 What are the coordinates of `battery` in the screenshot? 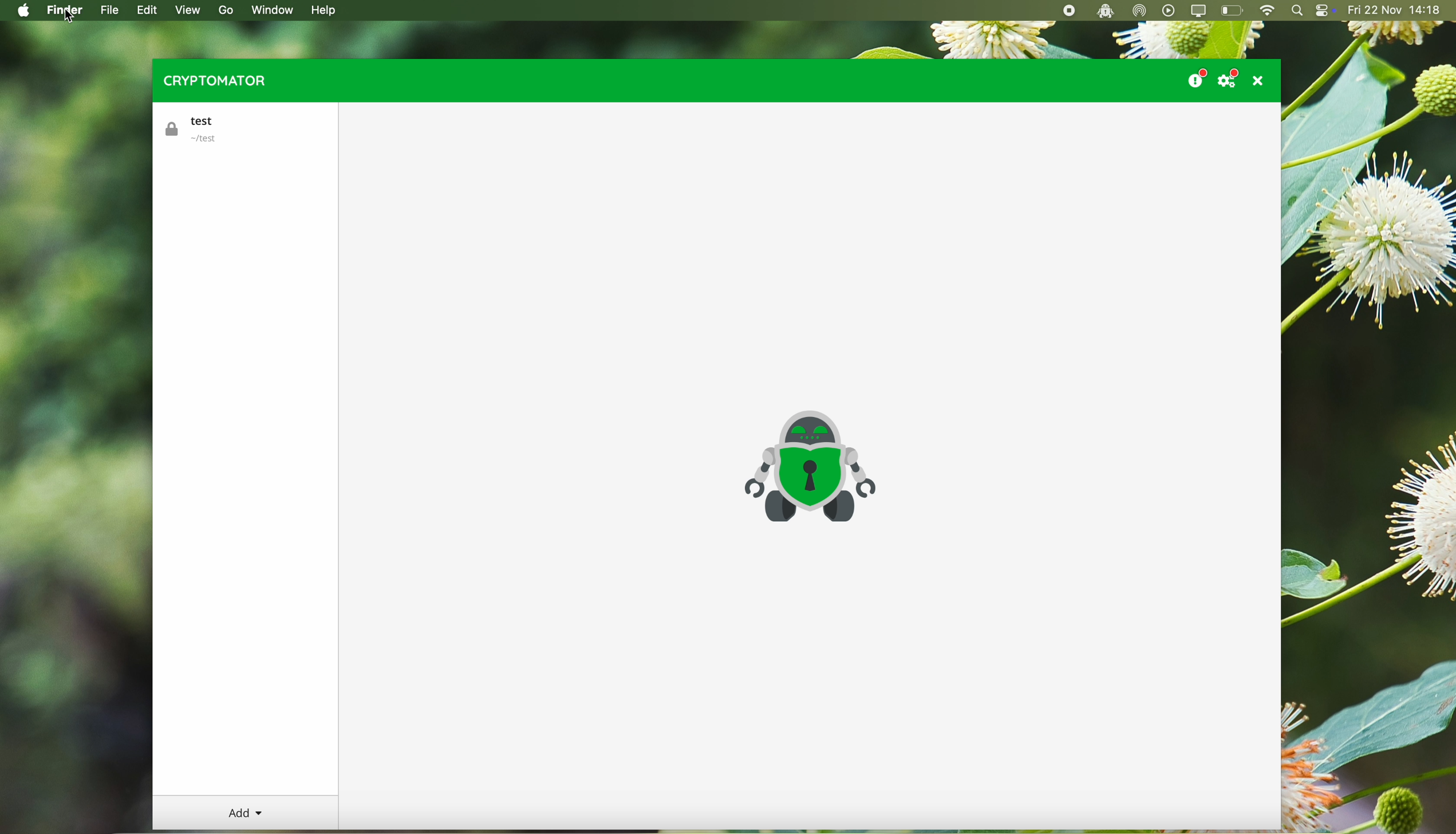 It's located at (1233, 11).